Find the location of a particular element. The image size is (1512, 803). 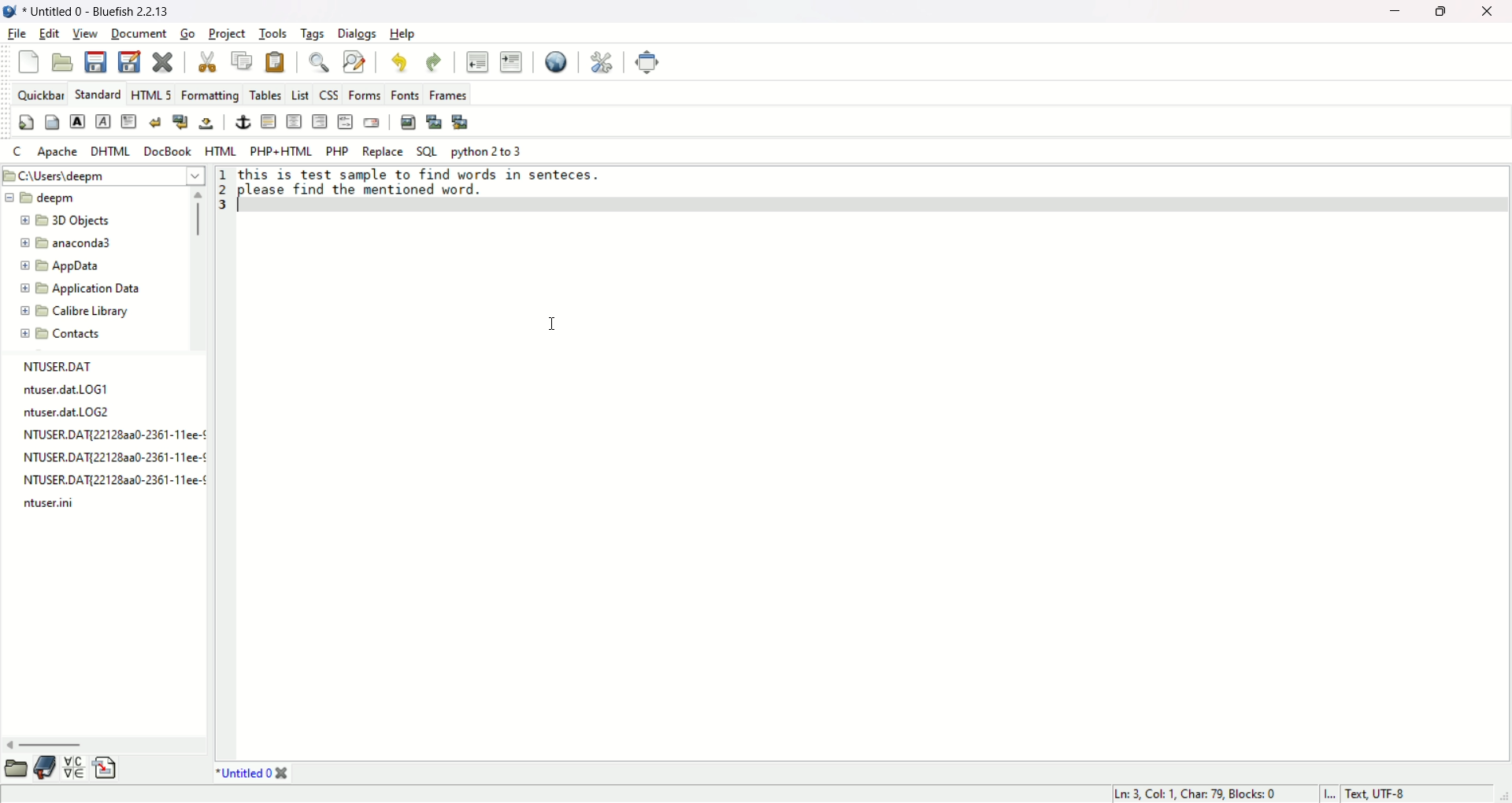

close current tab is located at coordinates (283, 772).